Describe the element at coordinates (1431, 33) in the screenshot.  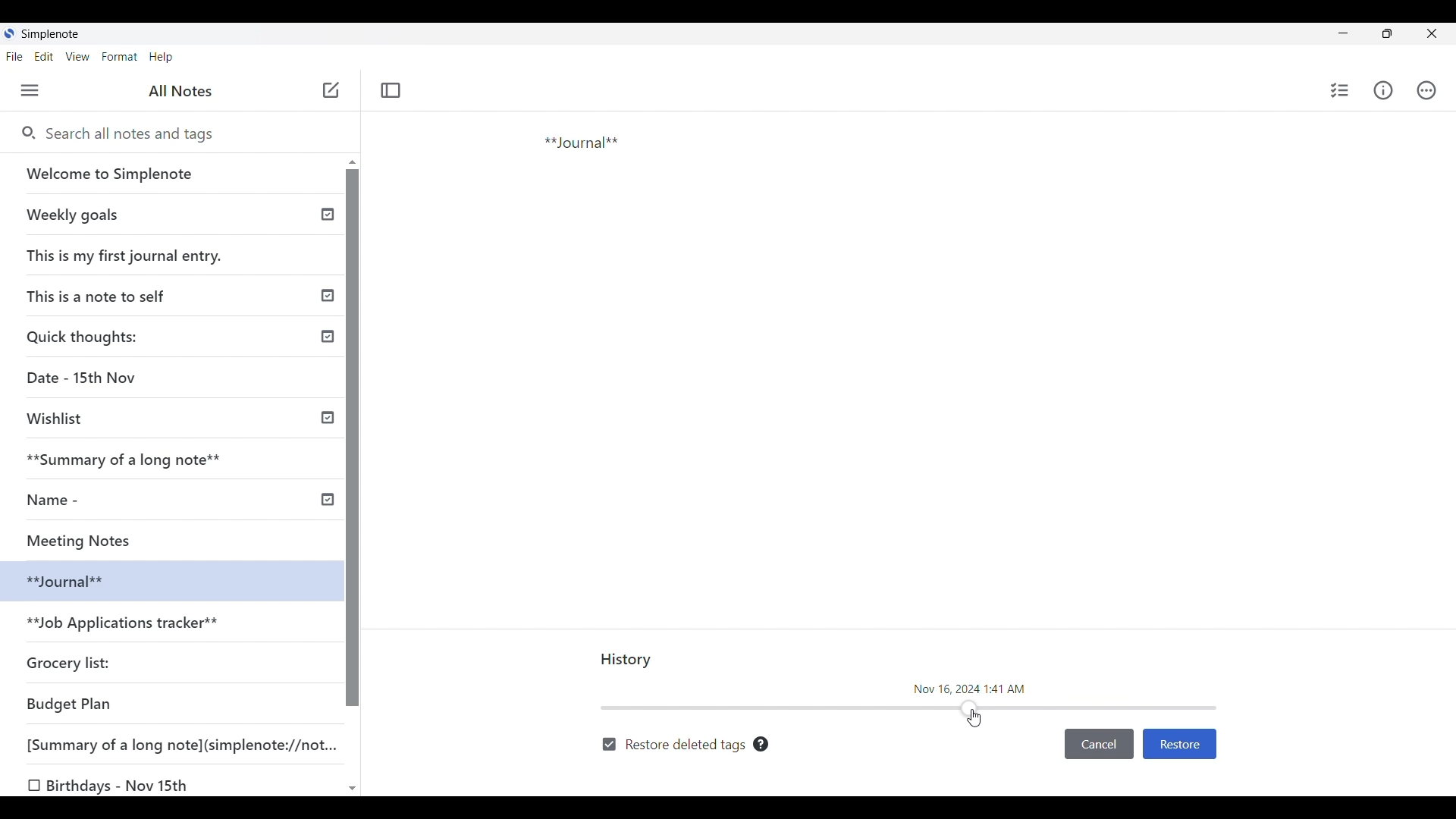
I see `Close interface` at that location.